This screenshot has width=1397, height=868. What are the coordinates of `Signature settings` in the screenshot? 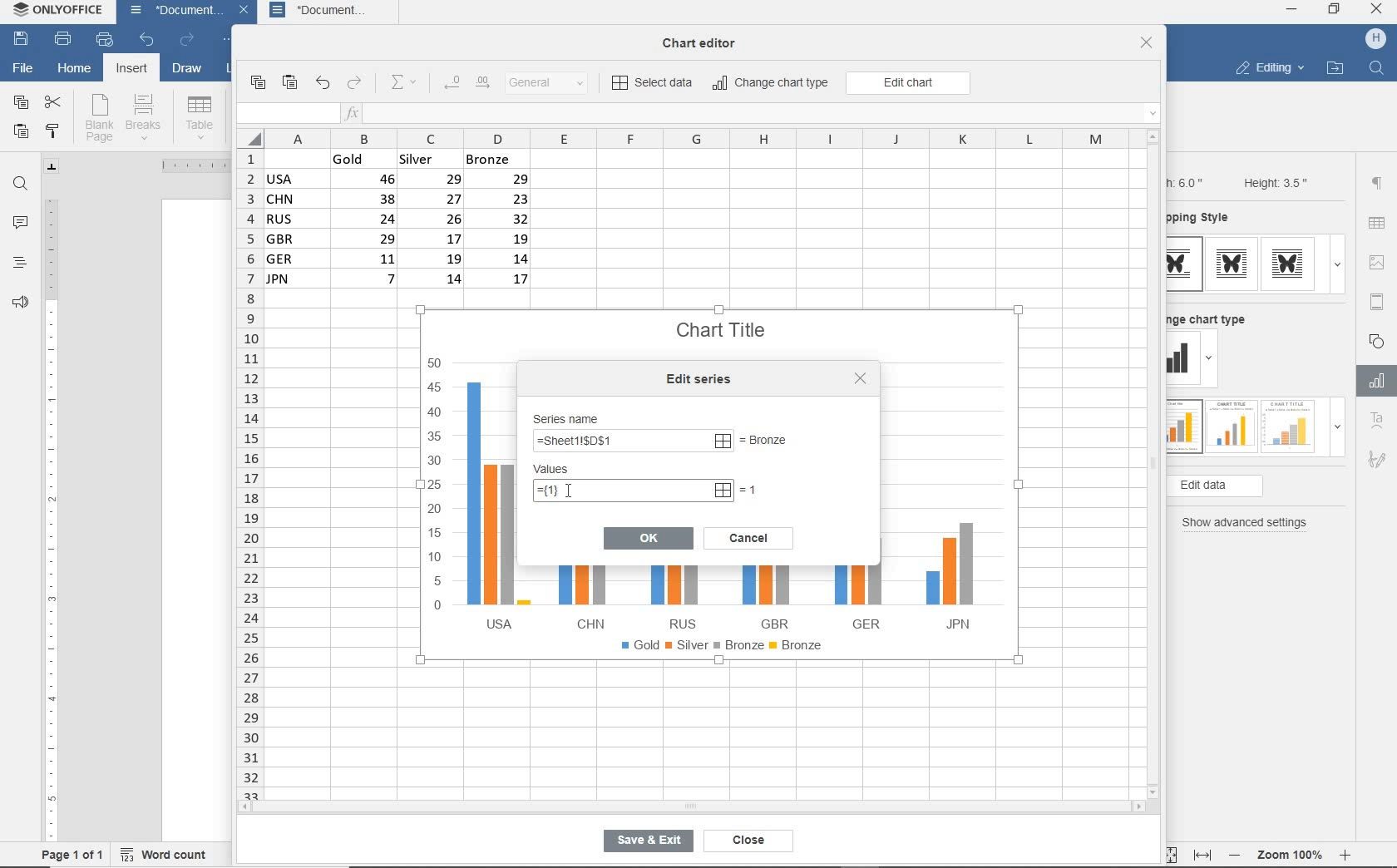 It's located at (1376, 463).